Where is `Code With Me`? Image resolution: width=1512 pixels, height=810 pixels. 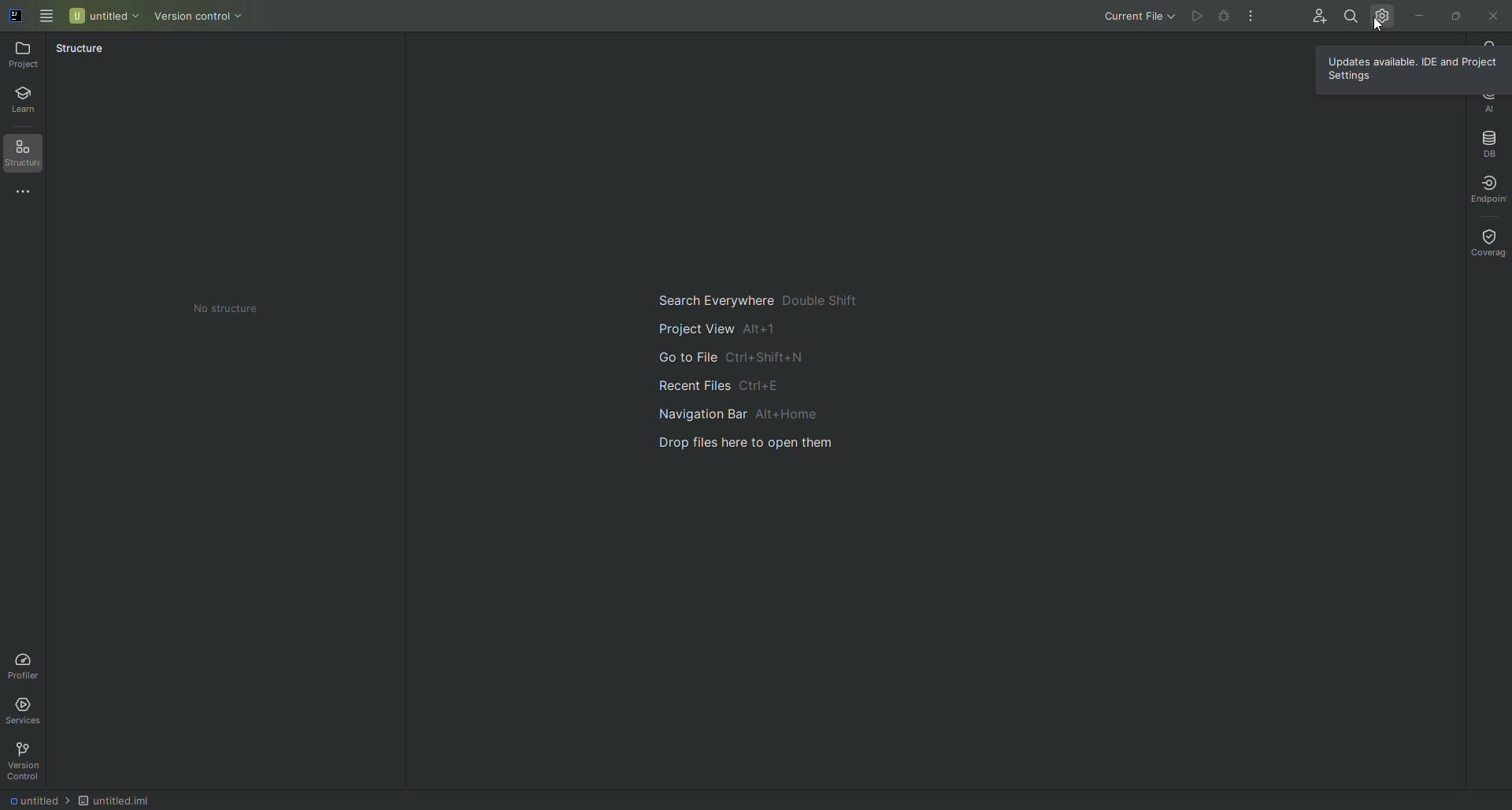
Code With Me is located at coordinates (1315, 19).